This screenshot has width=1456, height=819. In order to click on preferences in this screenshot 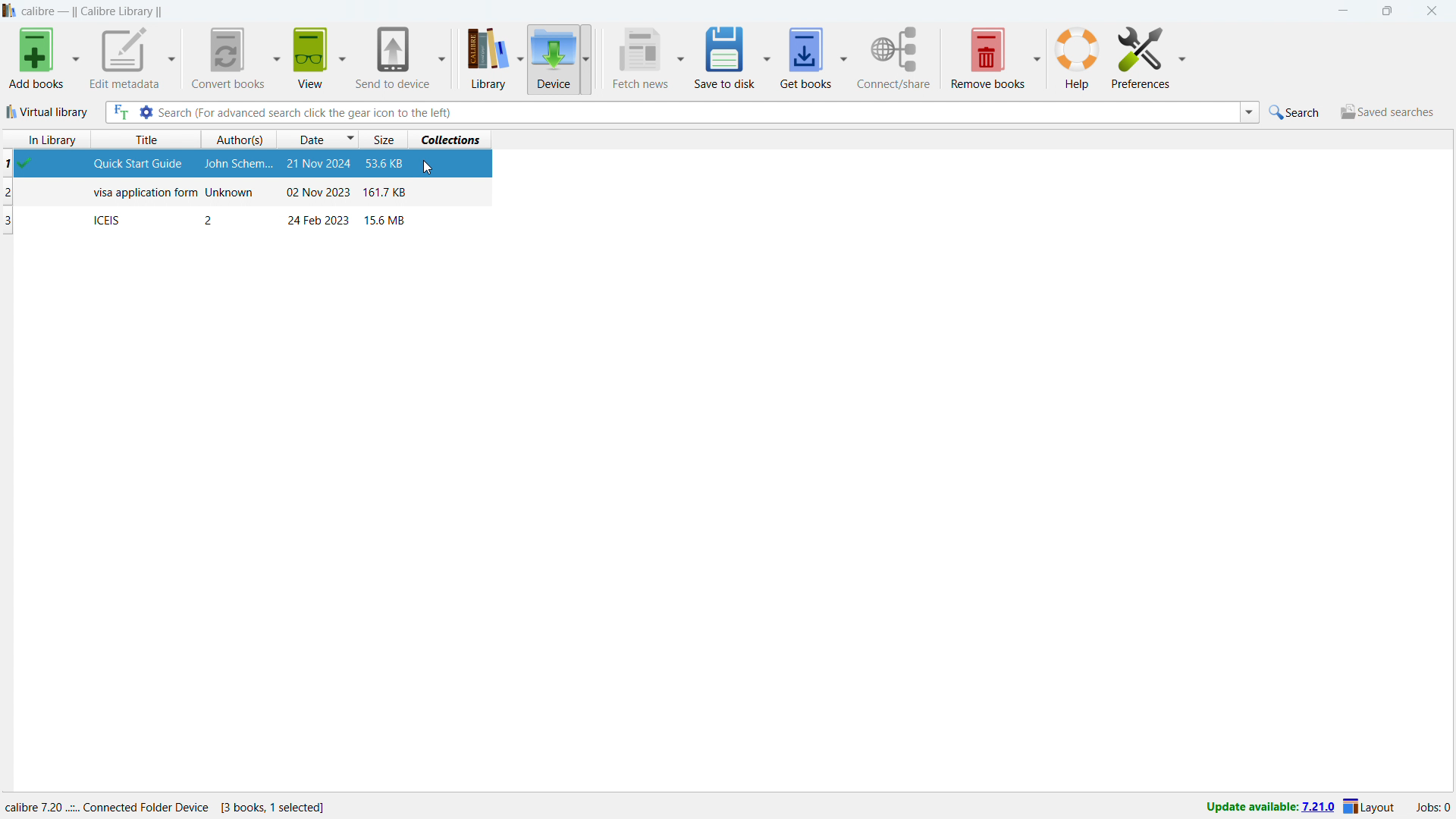, I will do `click(1141, 55)`.